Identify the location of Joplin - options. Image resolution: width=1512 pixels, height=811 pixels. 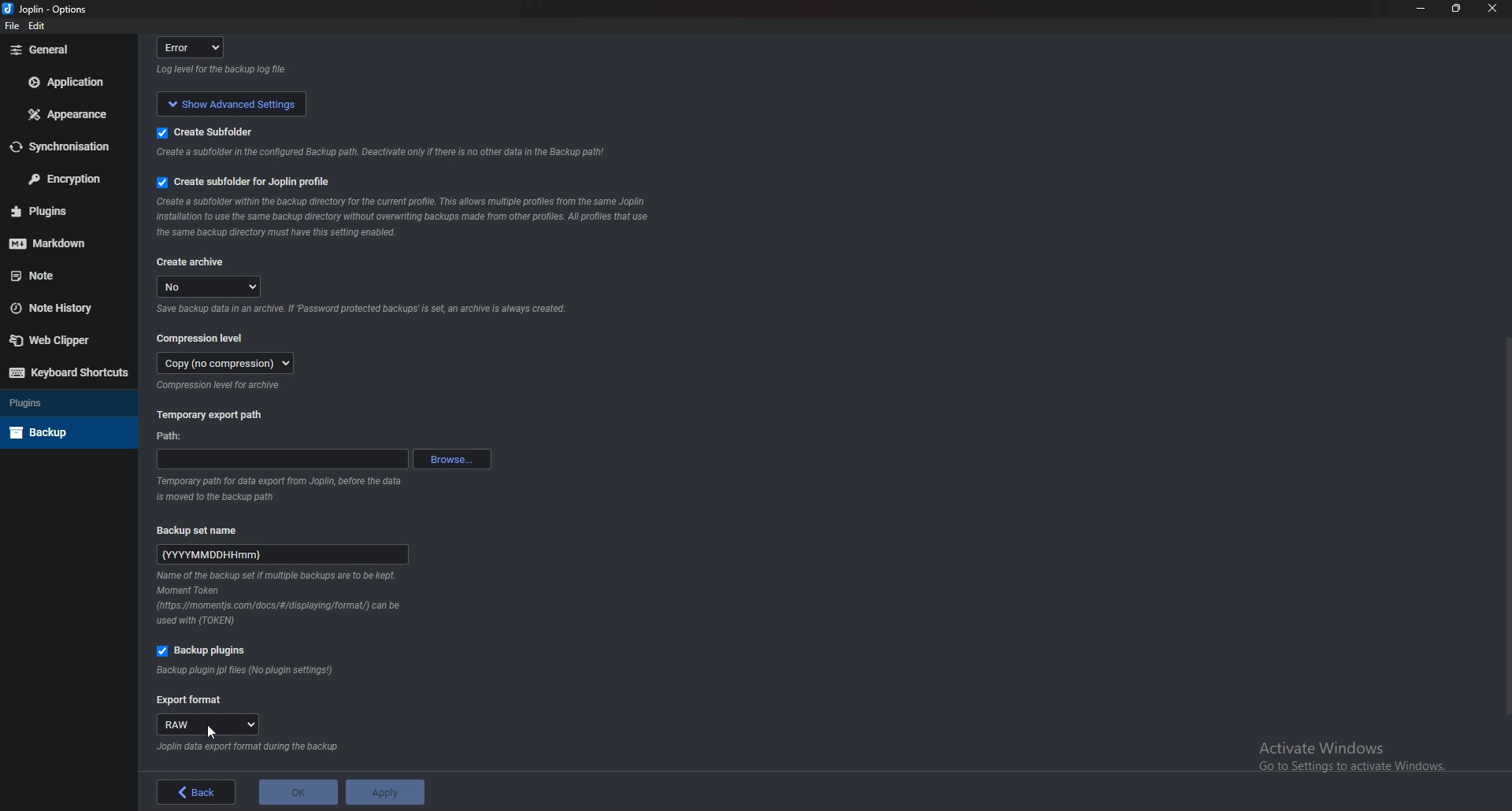
(48, 10).